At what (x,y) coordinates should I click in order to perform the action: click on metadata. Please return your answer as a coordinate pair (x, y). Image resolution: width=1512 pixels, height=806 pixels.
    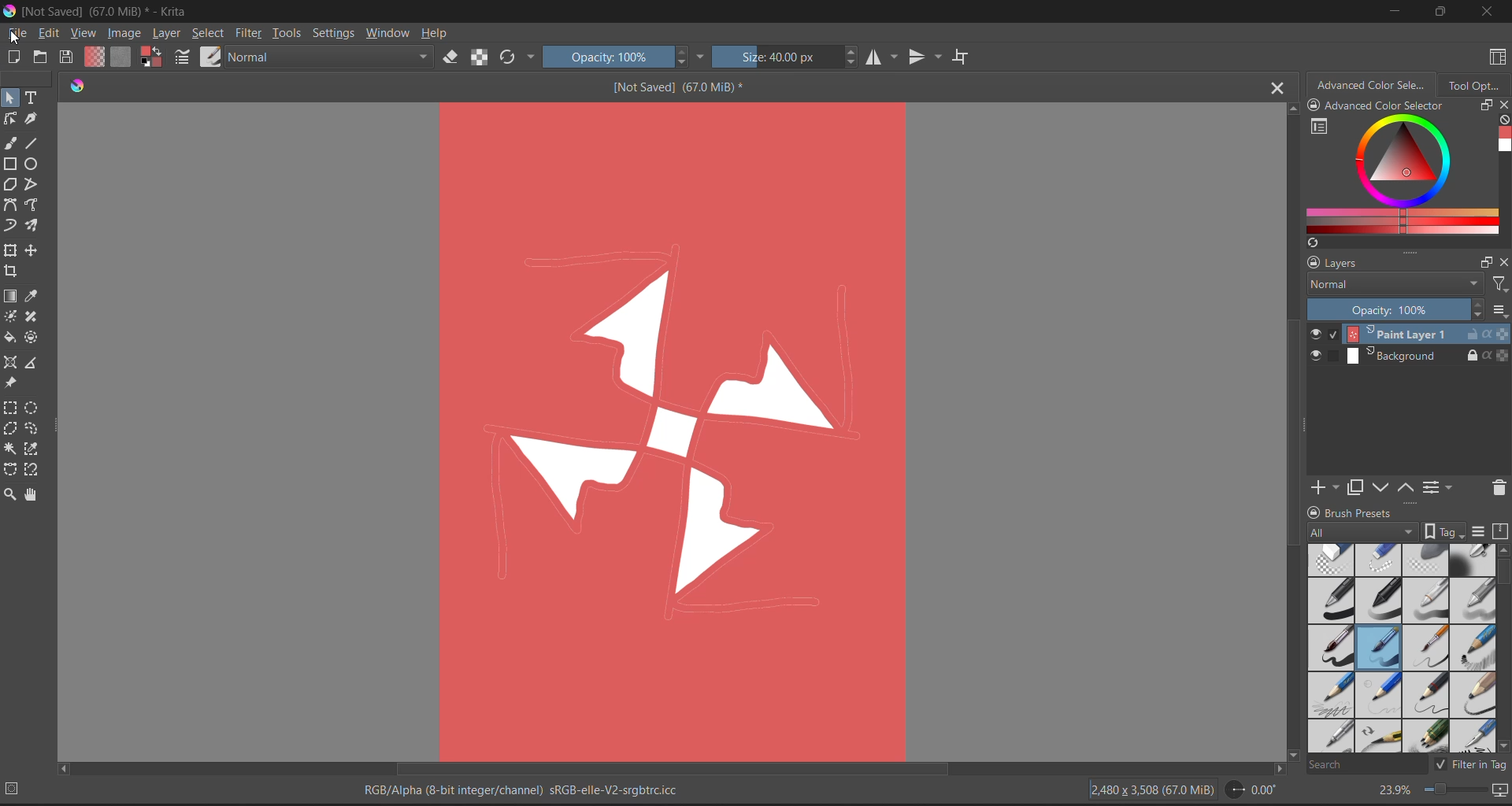
    Looking at the image, I should click on (530, 787).